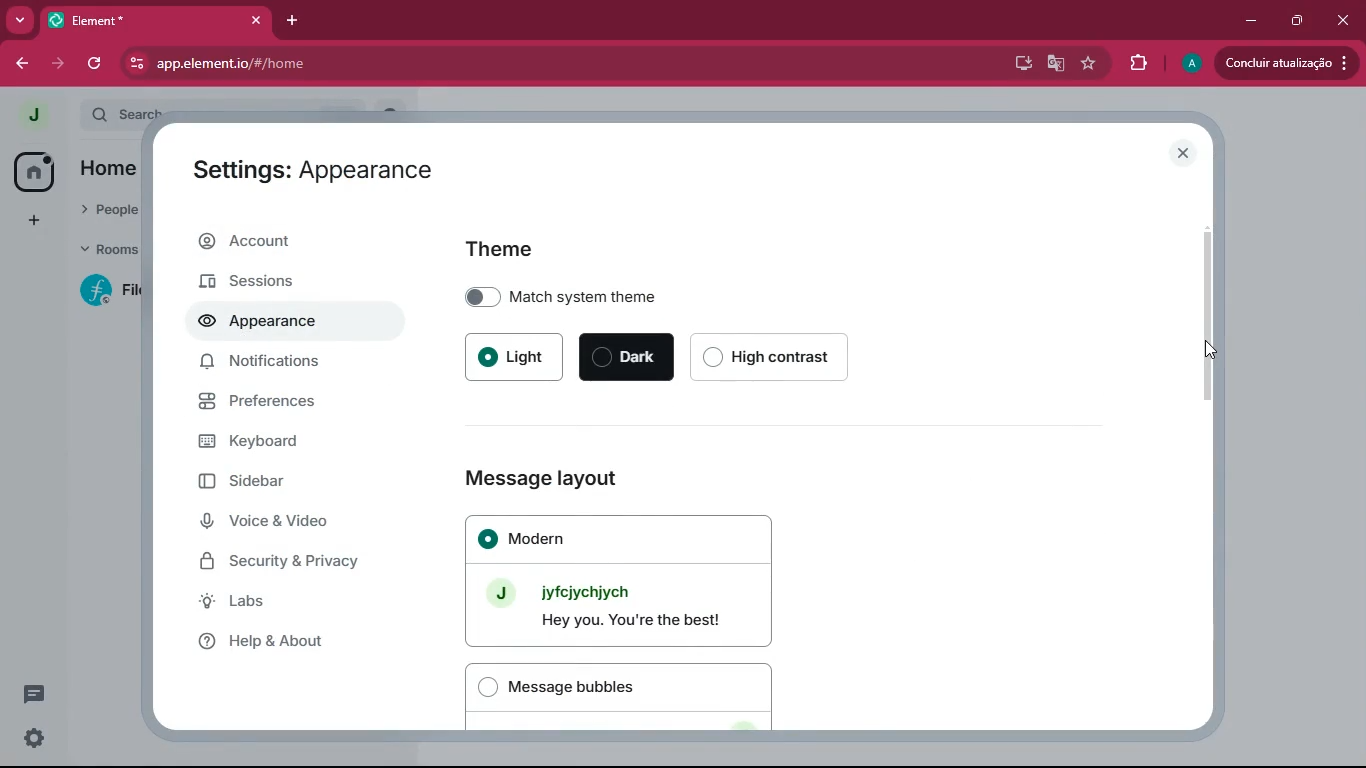 The width and height of the screenshot is (1366, 768). What do you see at coordinates (61, 65) in the screenshot?
I see `forward` at bounding box center [61, 65].